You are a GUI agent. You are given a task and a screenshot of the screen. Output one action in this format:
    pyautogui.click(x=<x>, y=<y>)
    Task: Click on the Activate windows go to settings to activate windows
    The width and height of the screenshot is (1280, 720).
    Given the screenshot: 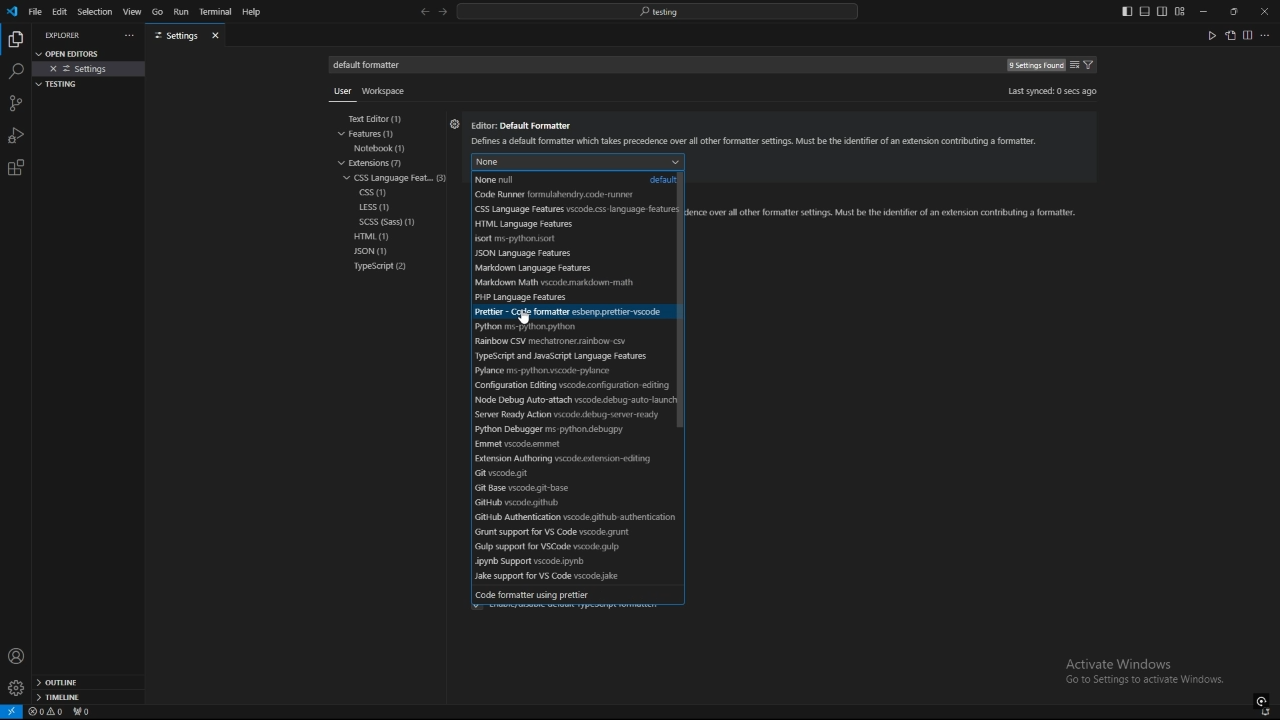 What is the action you would take?
    pyautogui.click(x=1152, y=673)
    